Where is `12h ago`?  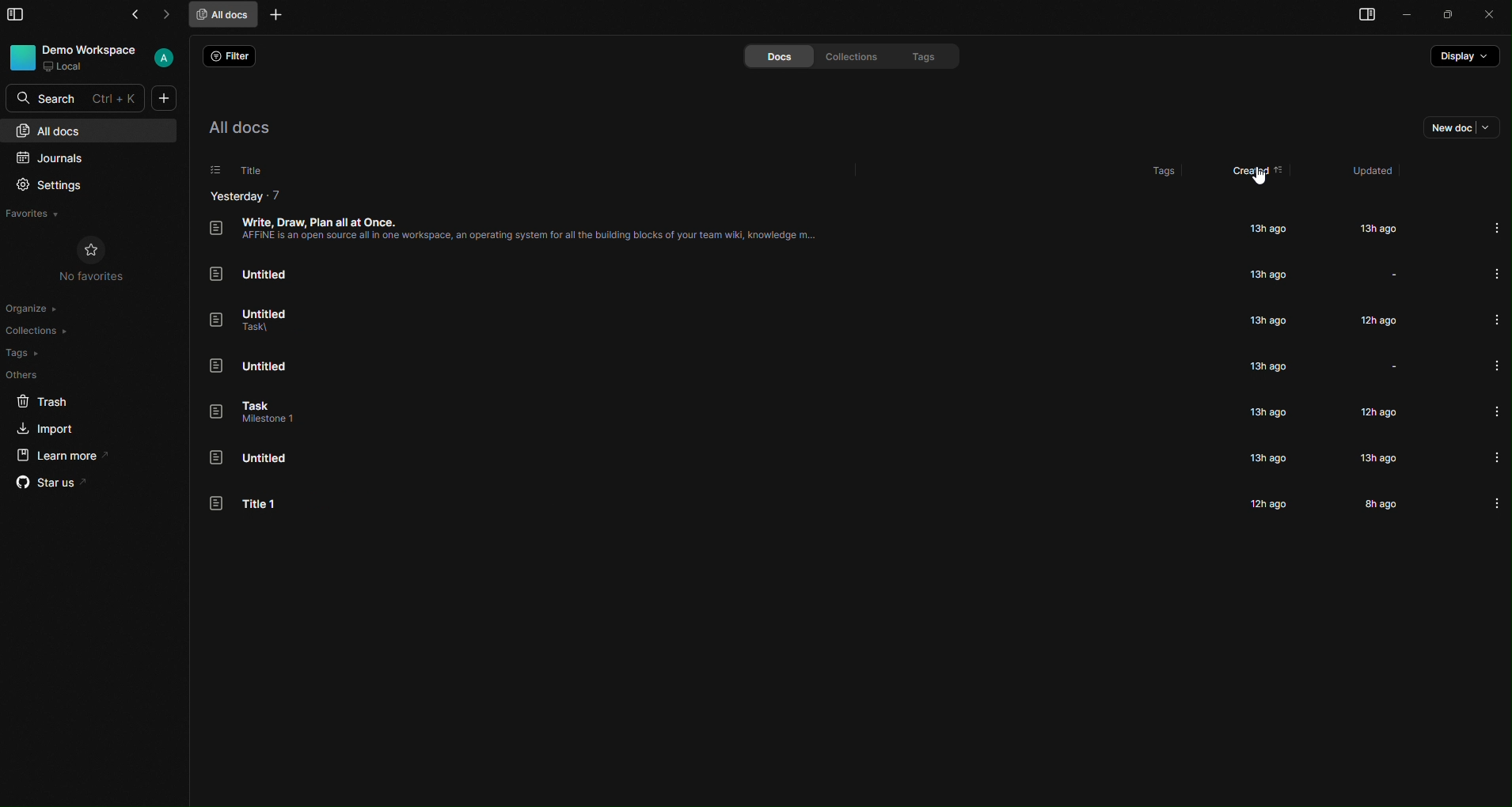
12h ago is located at coordinates (1269, 499).